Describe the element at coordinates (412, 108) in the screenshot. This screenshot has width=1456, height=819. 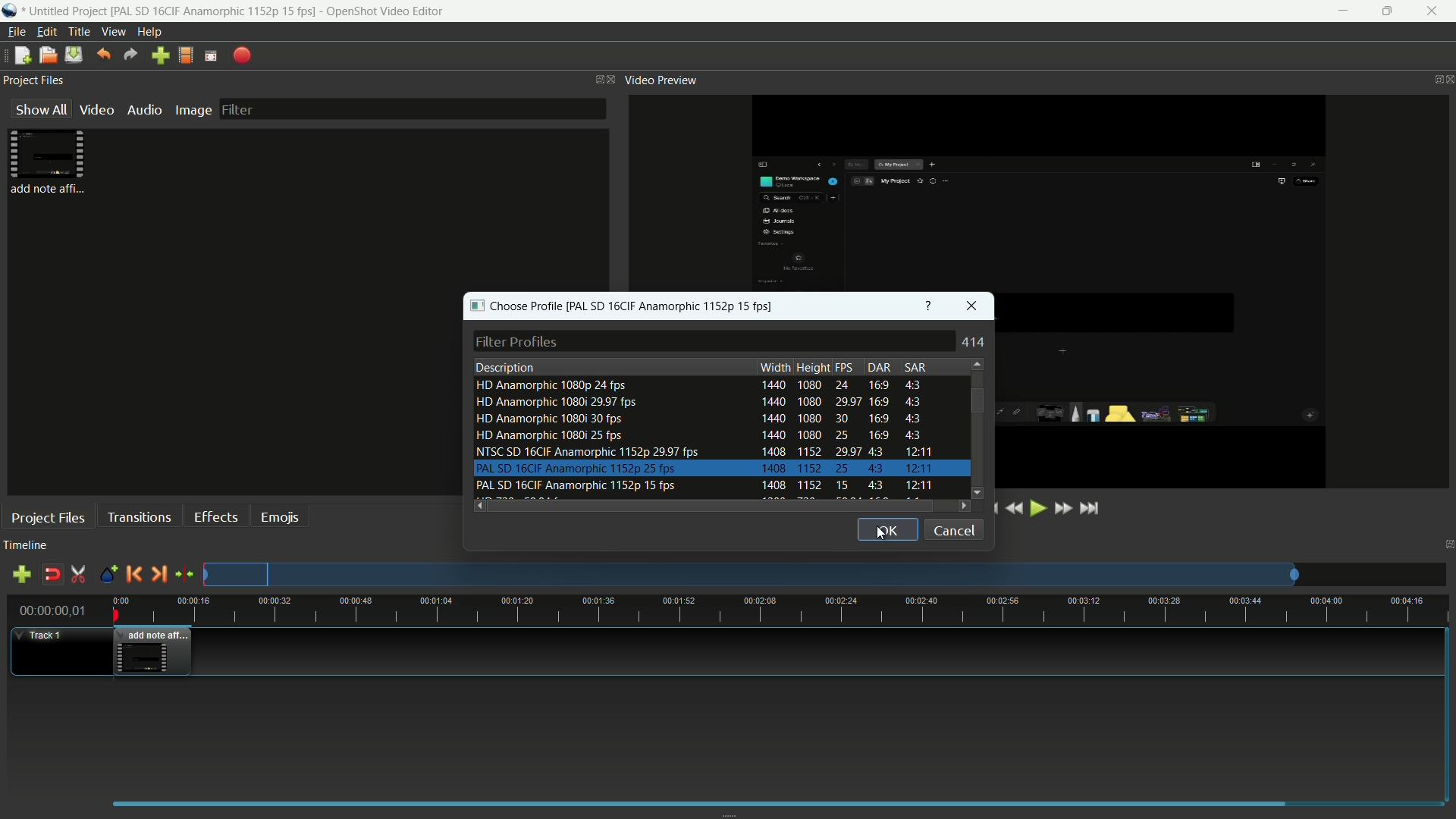
I see `filter bar` at that location.